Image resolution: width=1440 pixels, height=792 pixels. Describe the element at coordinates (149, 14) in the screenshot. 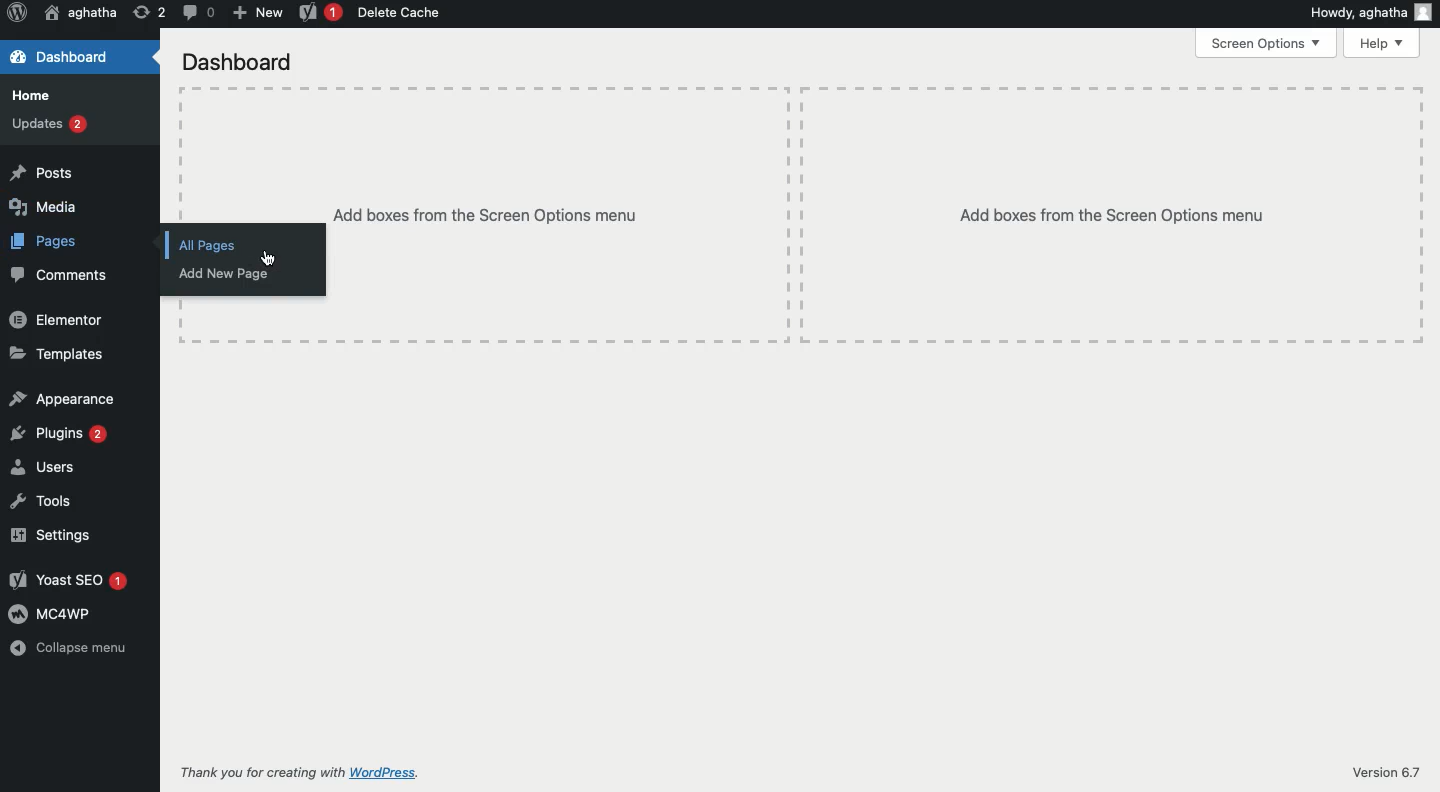

I see `Revision` at that location.